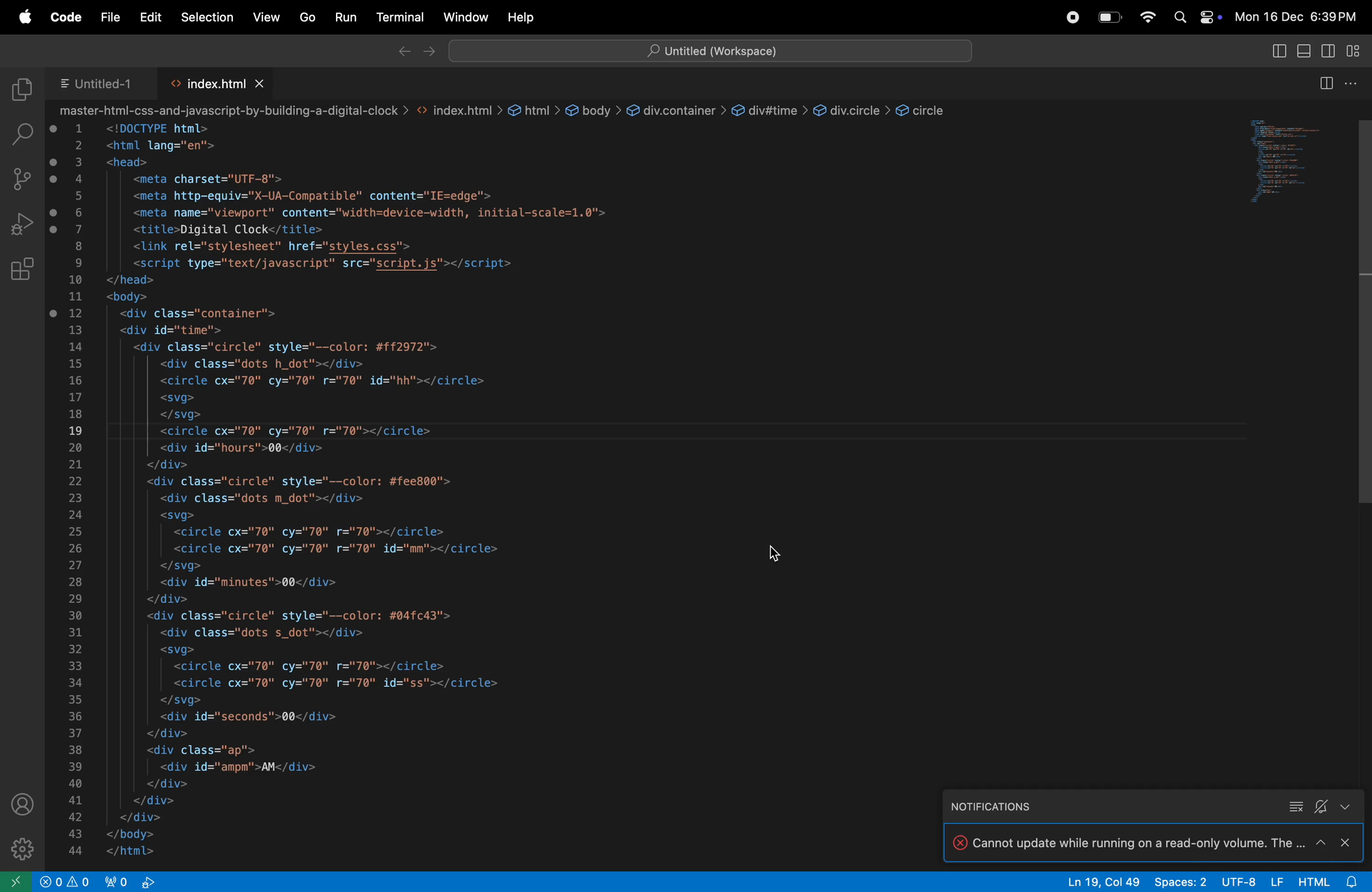 The width and height of the screenshot is (1372, 892). What do you see at coordinates (1311, 880) in the screenshot?
I see `html ` at bounding box center [1311, 880].